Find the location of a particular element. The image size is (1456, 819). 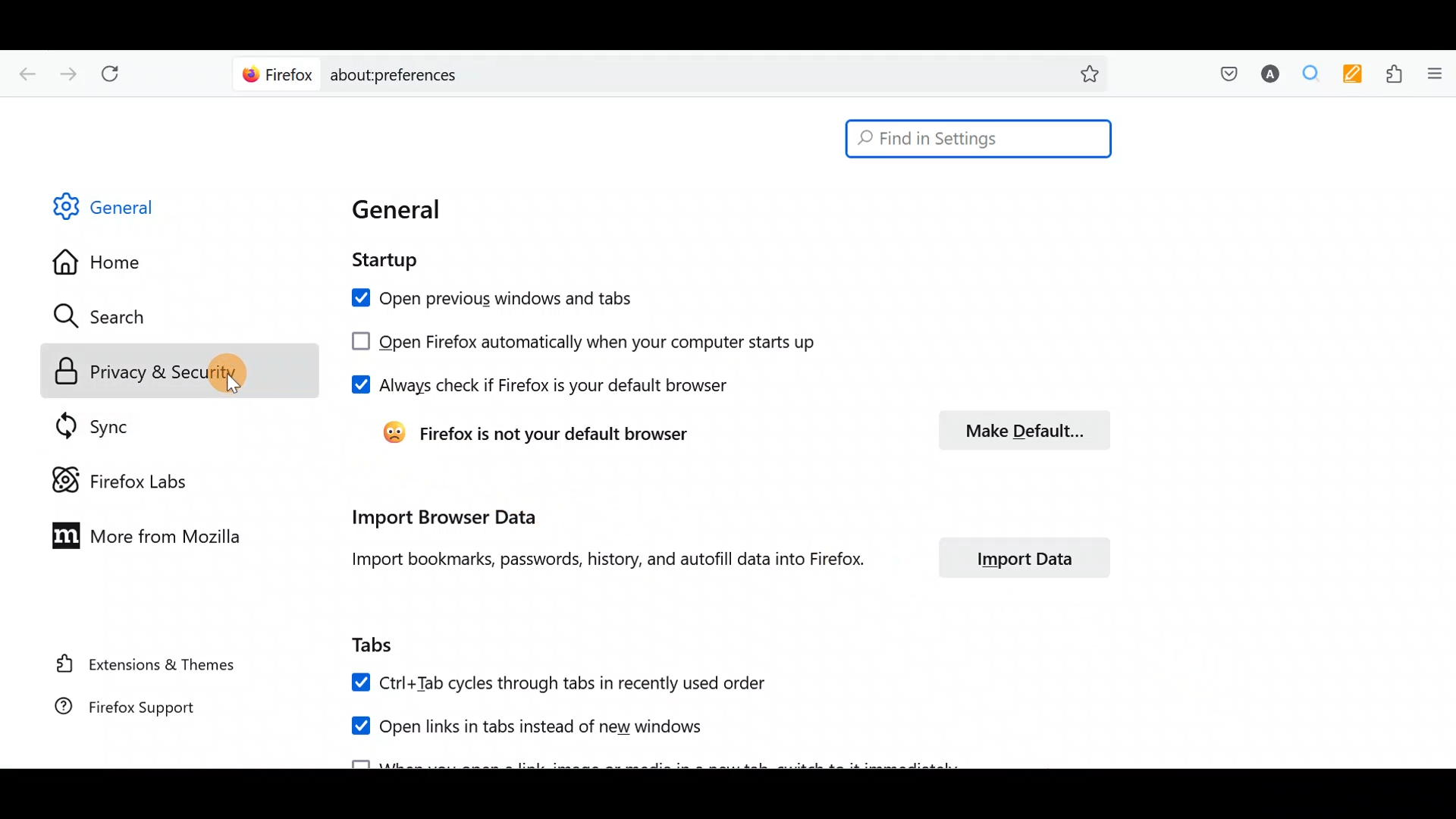

Open links in tabs instead of new windows is located at coordinates (513, 724).